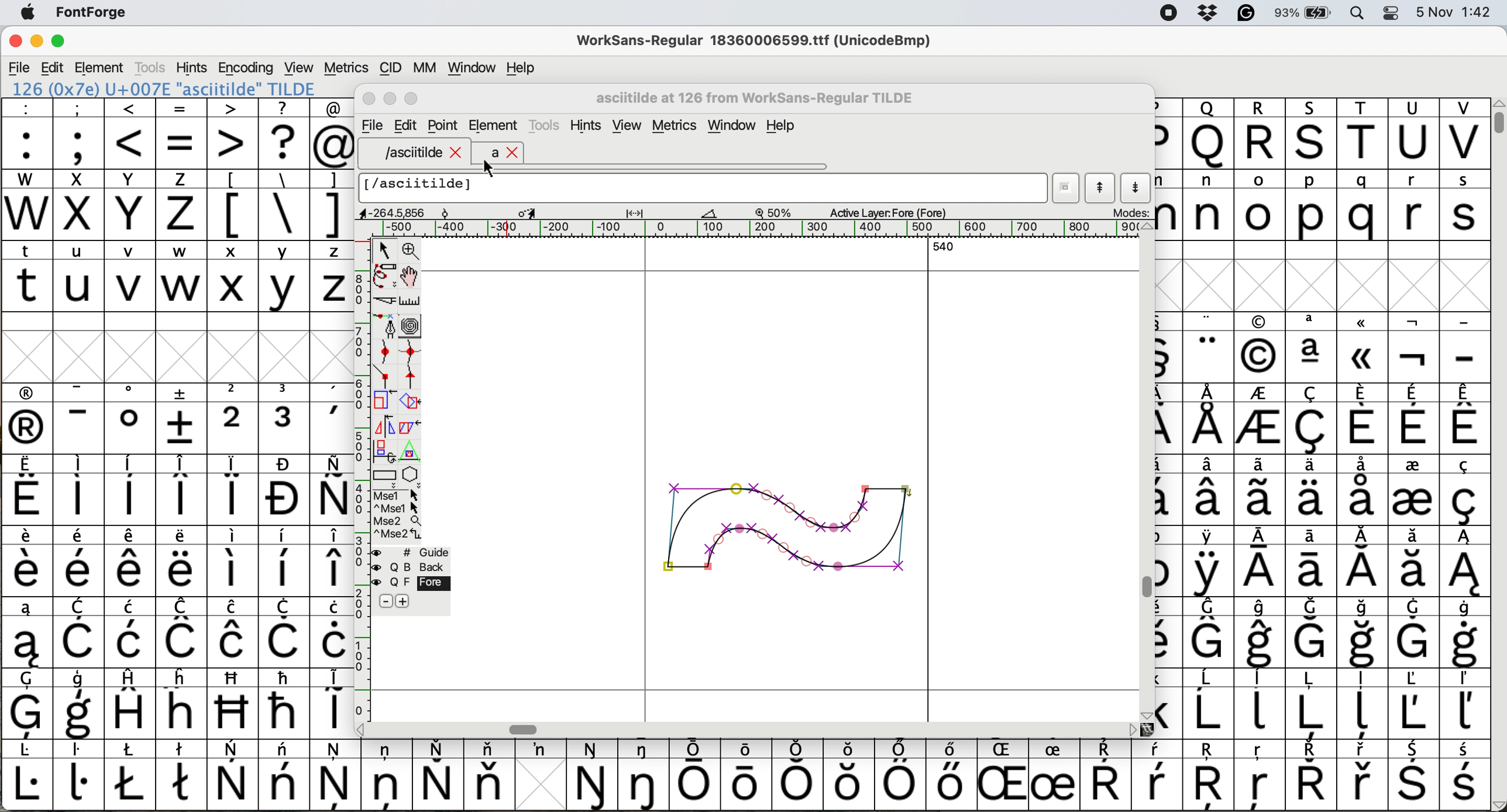 Image resolution: width=1507 pixels, height=812 pixels. I want to click on glyph name, so click(758, 97).